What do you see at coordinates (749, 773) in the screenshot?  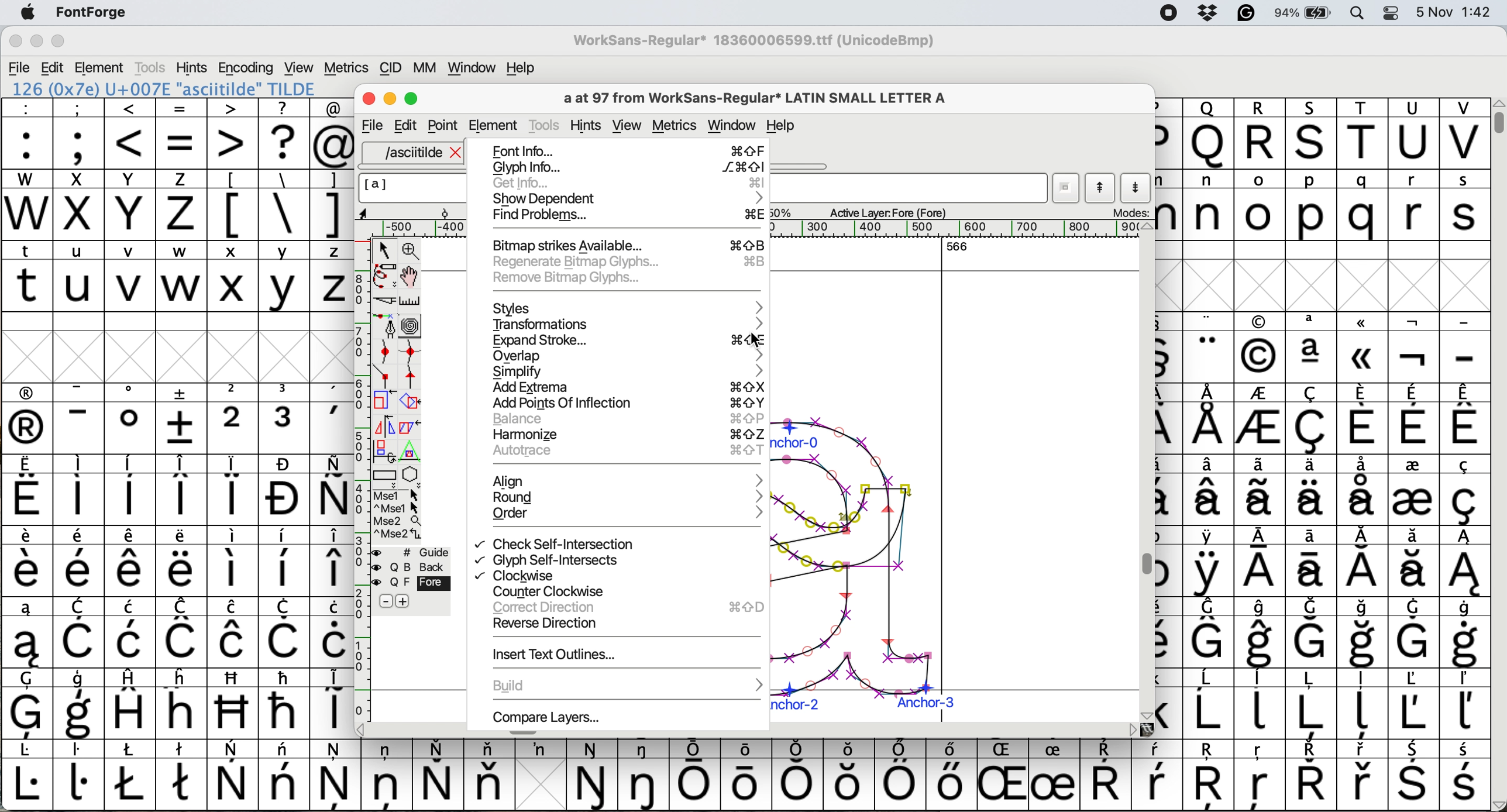 I see `symbol` at bounding box center [749, 773].